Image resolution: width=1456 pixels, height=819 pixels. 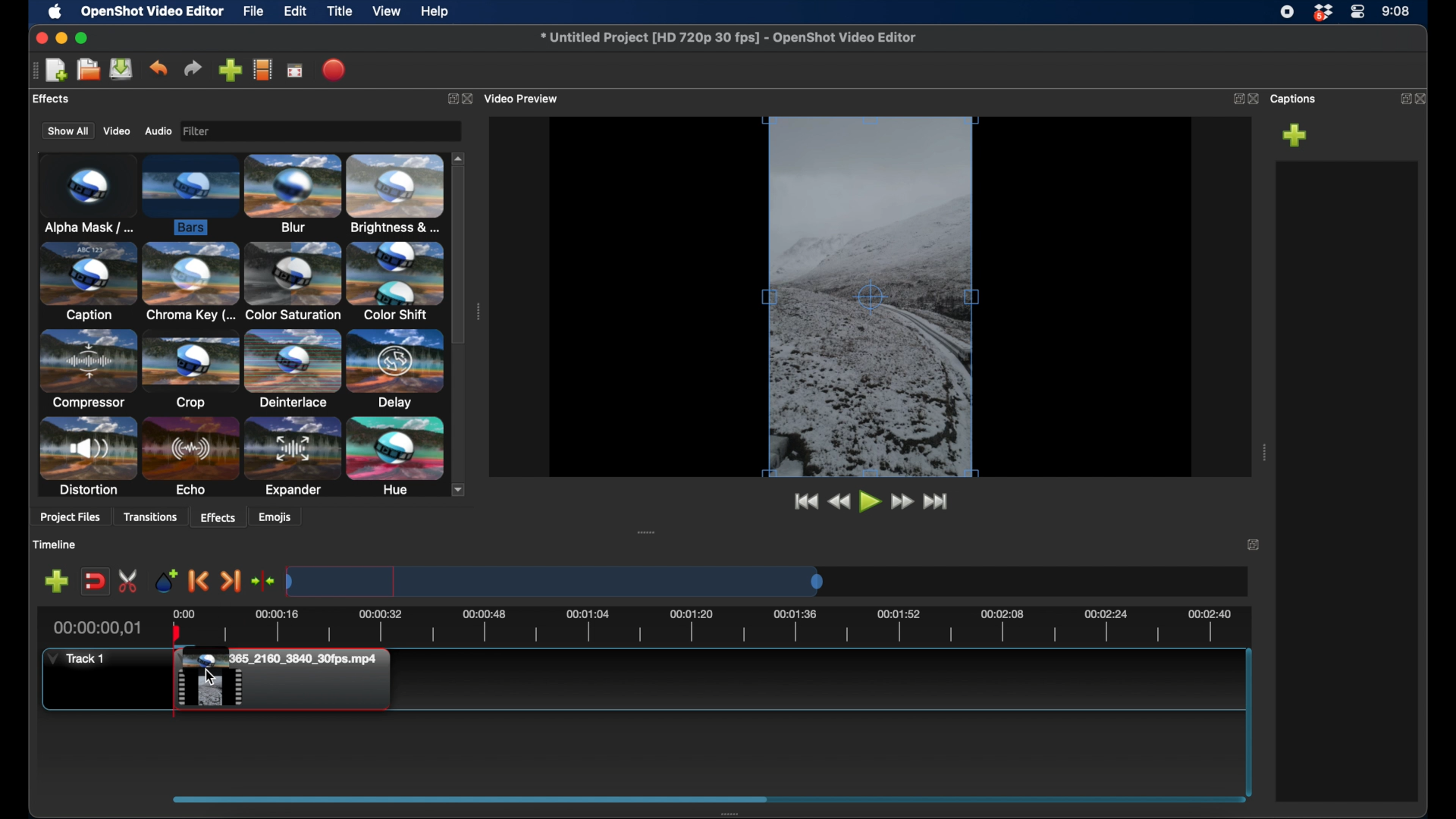 What do you see at coordinates (63, 38) in the screenshot?
I see `minimize` at bounding box center [63, 38].